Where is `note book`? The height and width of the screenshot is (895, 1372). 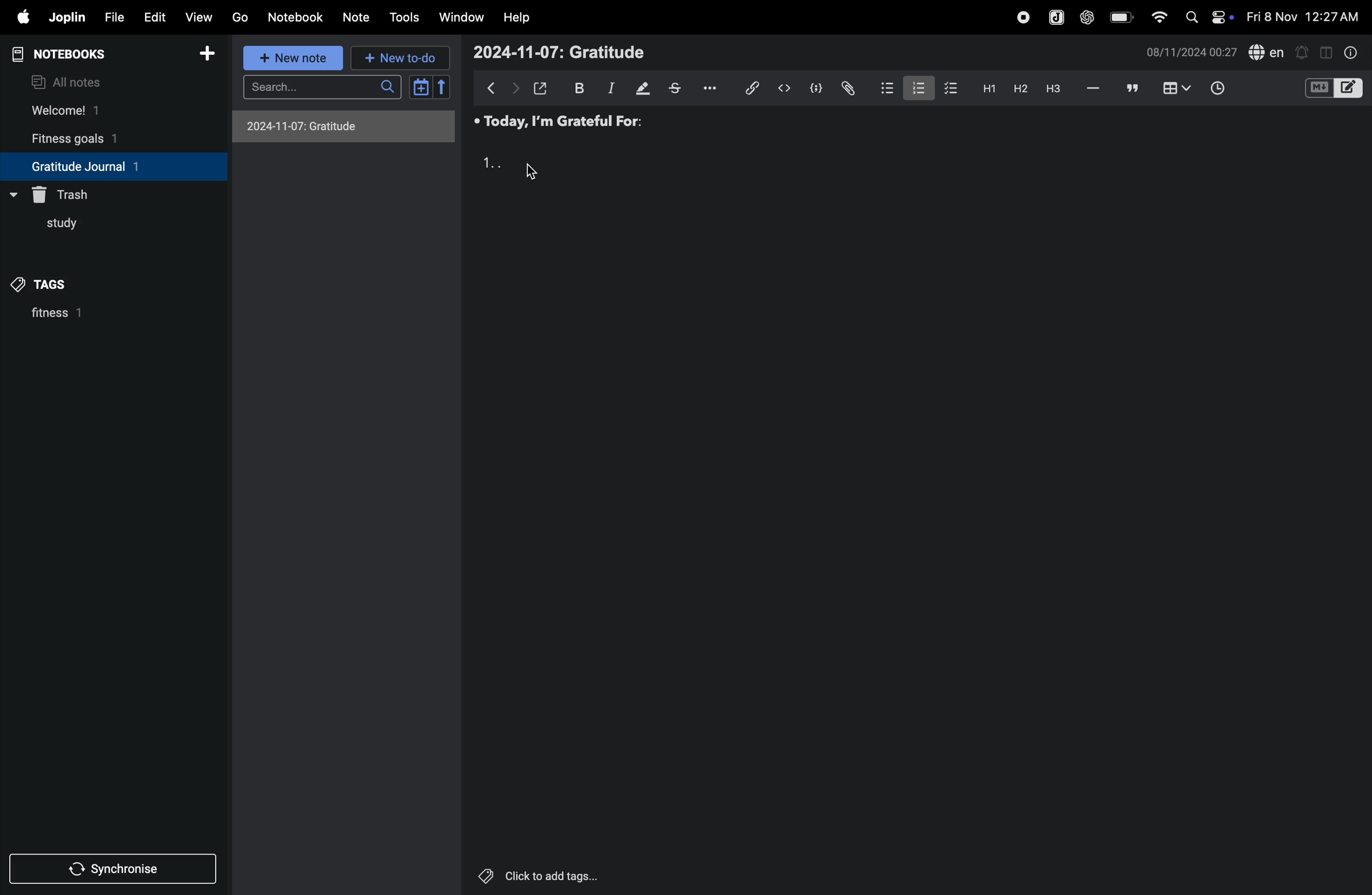
note book is located at coordinates (80, 54).